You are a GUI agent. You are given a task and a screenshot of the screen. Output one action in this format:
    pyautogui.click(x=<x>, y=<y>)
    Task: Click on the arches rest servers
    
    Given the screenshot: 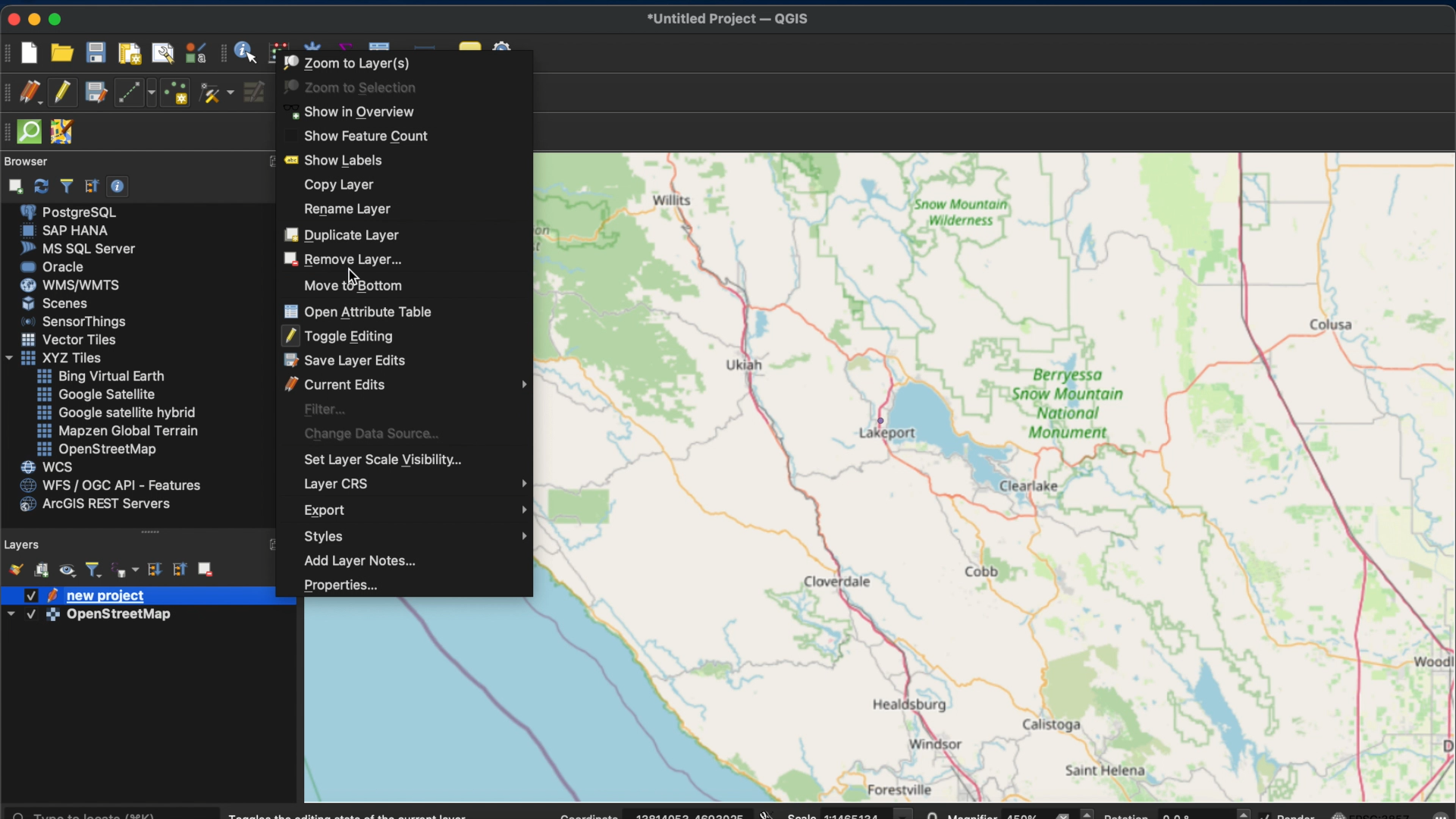 What is the action you would take?
    pyautogui.click(x=93, y=505)
    